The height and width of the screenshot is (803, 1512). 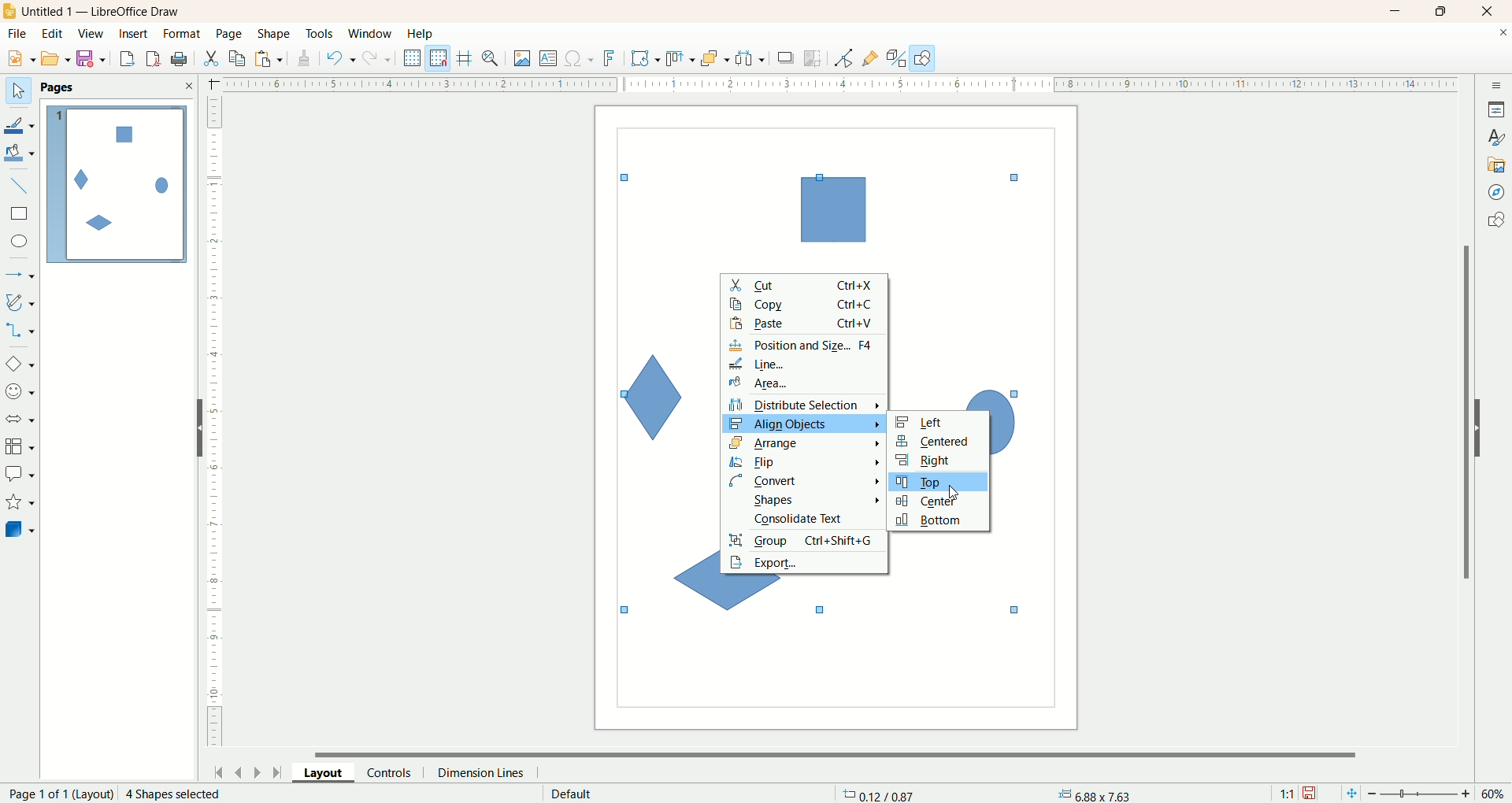 I want to click on position and size, so click(x=805, y=345).